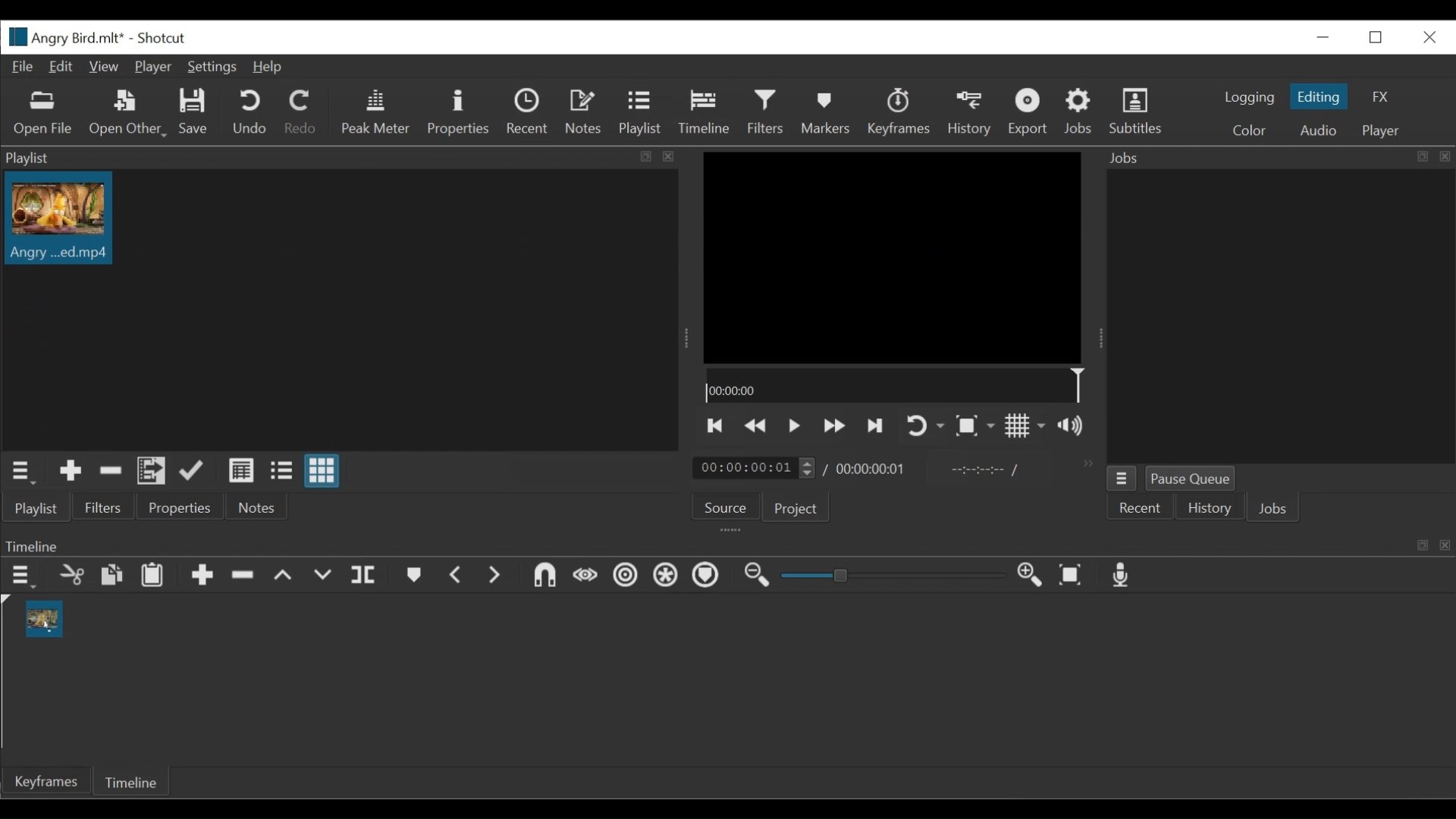  I want to click on Edit, so click(63, 67).